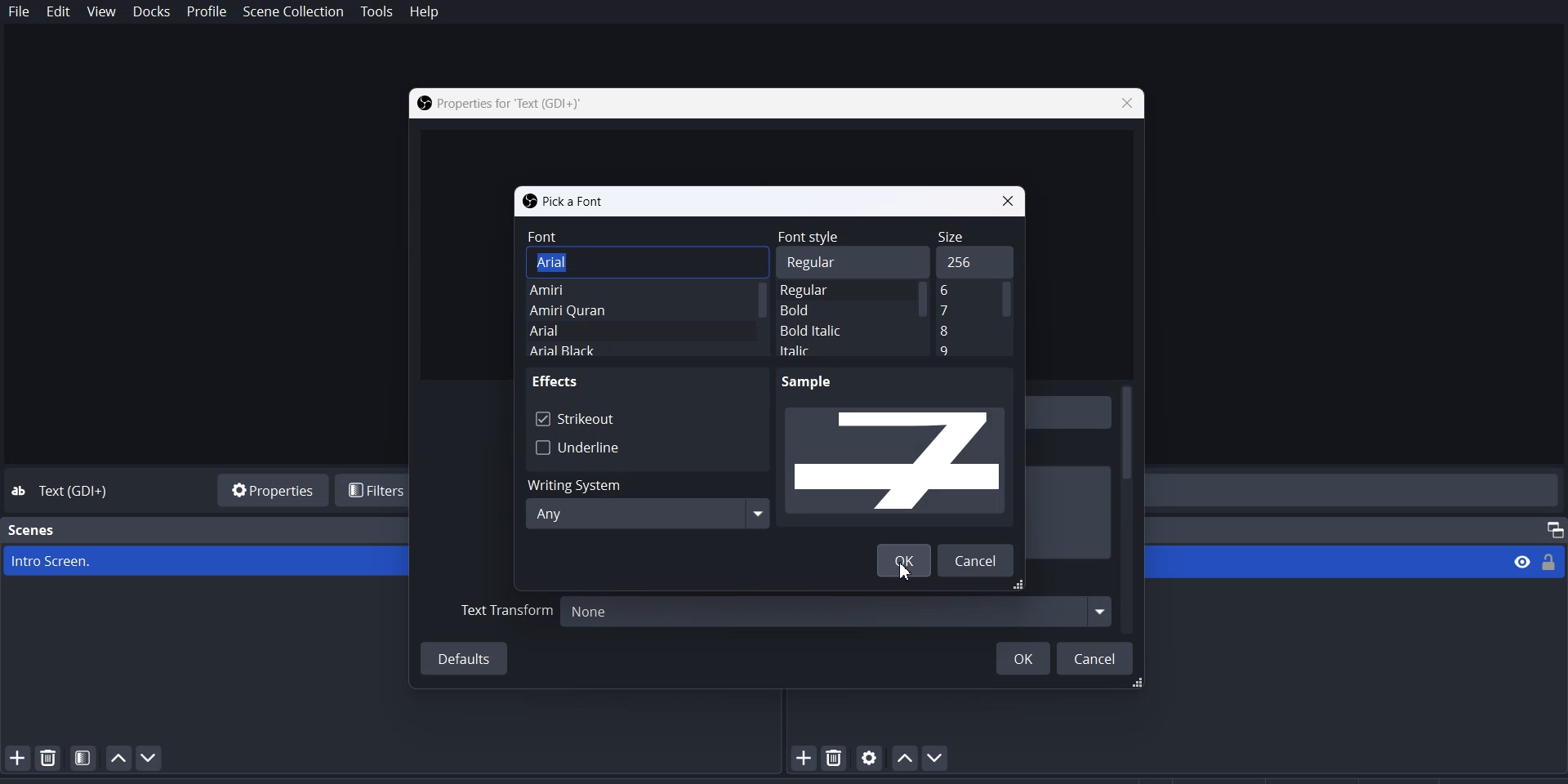  I want to click on Scenes, so click(33, 530).